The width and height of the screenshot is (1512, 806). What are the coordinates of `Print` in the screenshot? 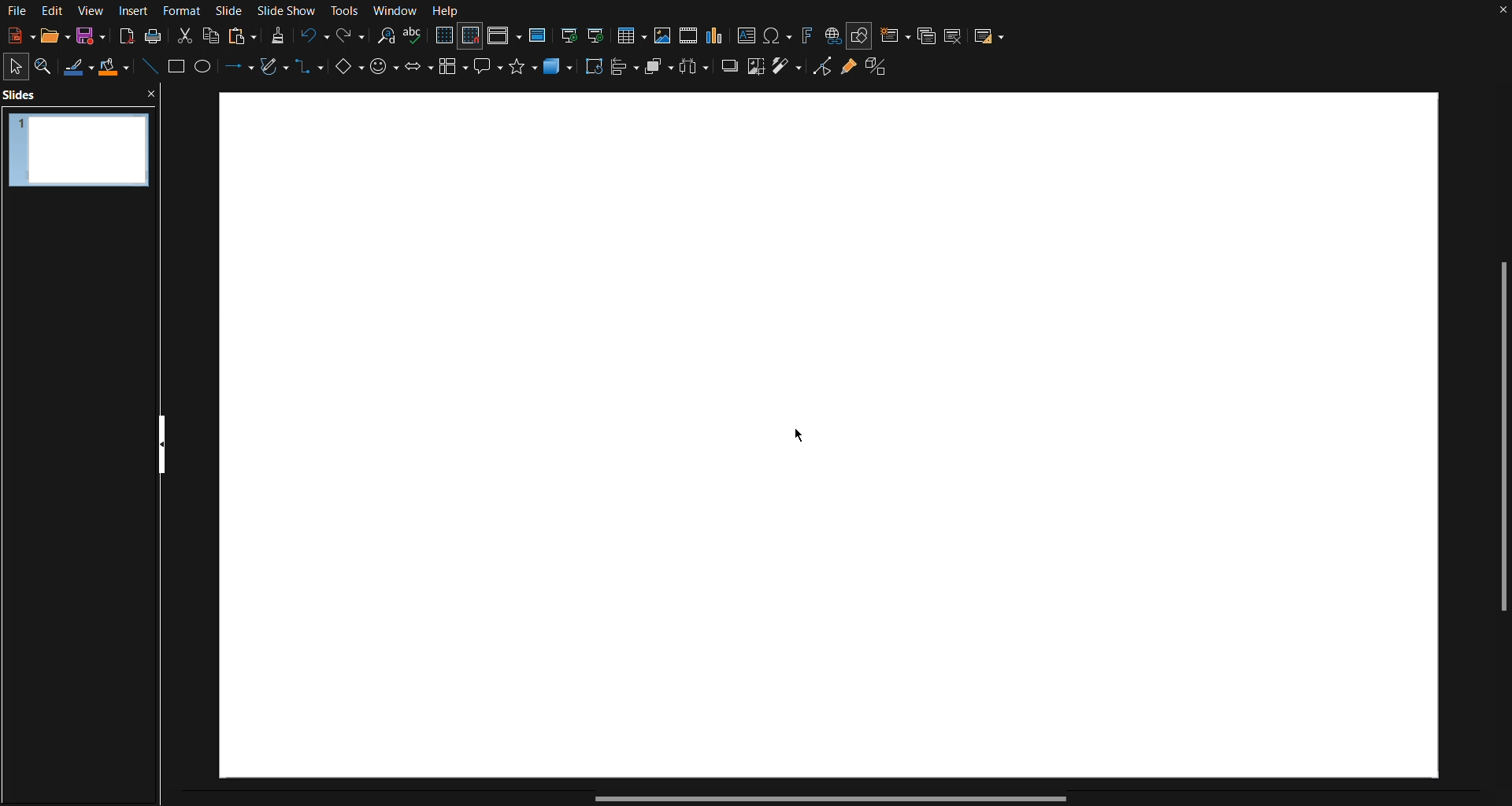 It's located at (153, 36).